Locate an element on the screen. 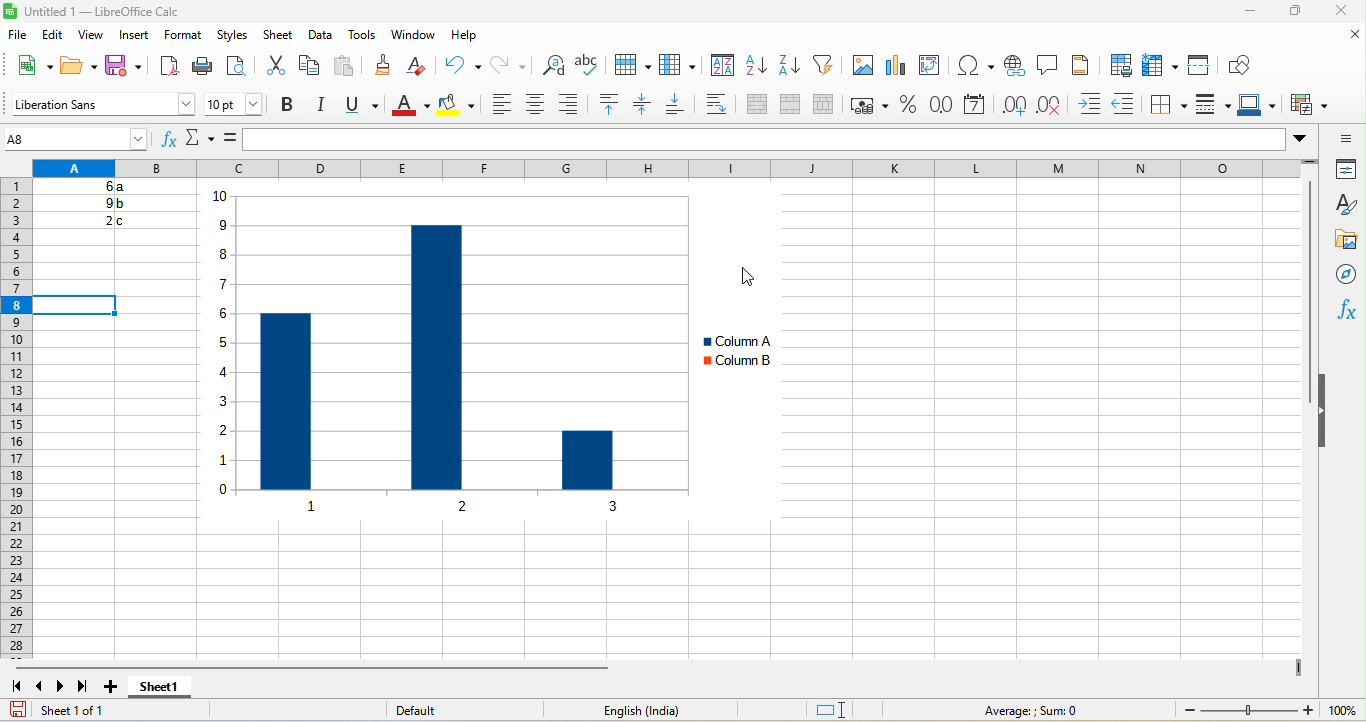  column is located at coordinates (673, 69).